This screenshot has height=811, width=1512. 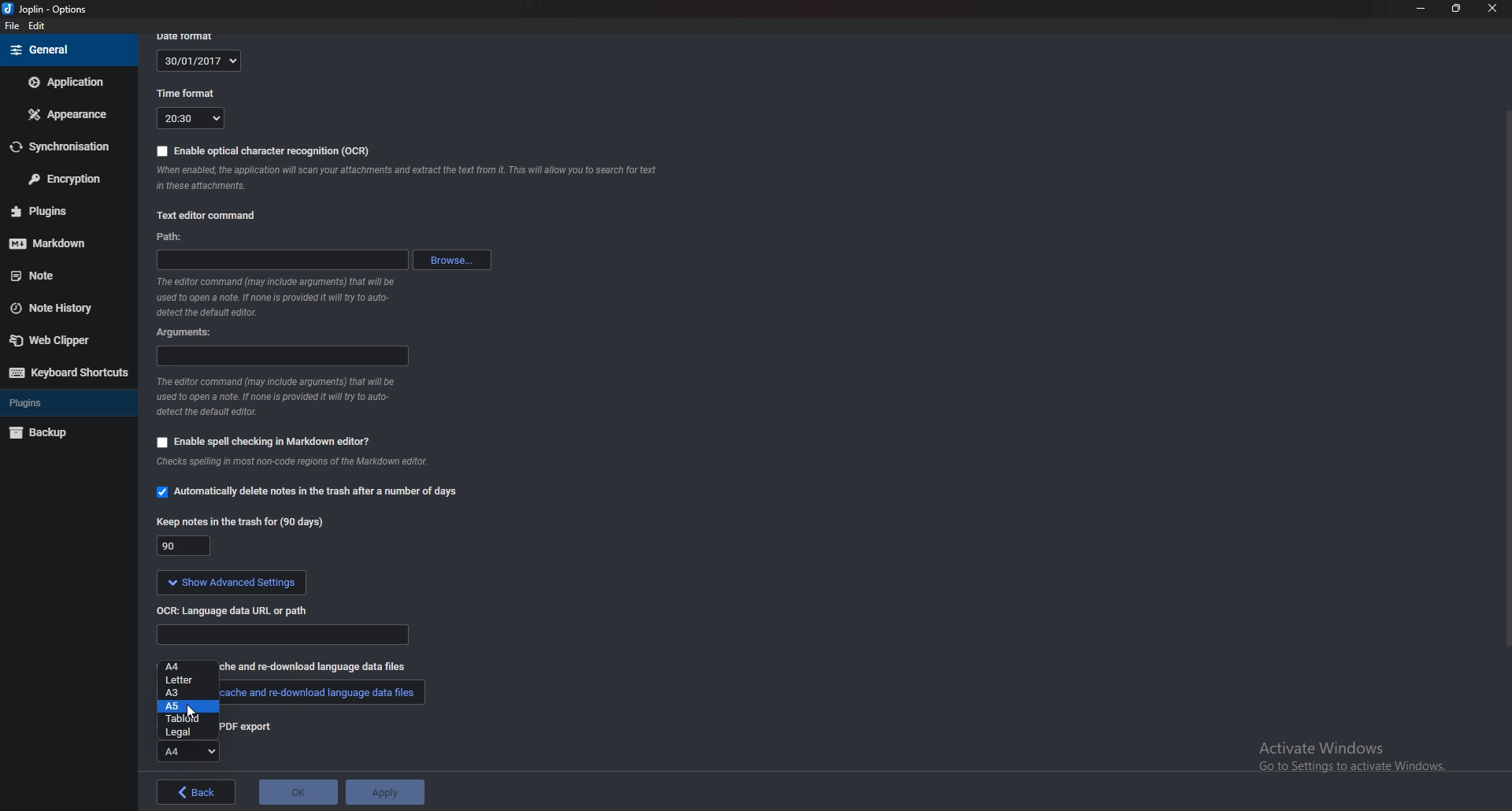 What do you see at coordinates (335, 696) in the screenshot?
I see `cache and re-download data files` at bounding box center [335, 696].